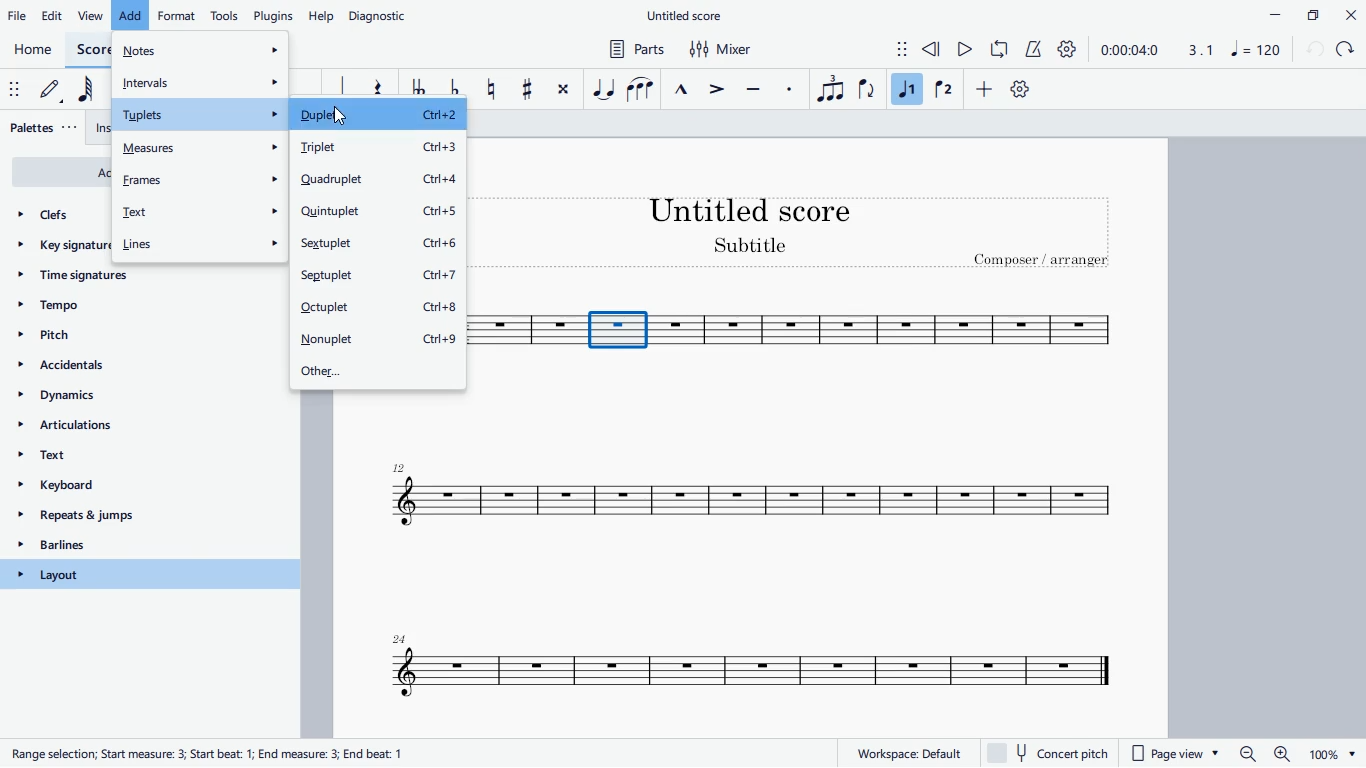 This screenshot has height=768, width=1366. Describe the element at coordinates (894, 331) in the screenshot. I see `score` at that location.